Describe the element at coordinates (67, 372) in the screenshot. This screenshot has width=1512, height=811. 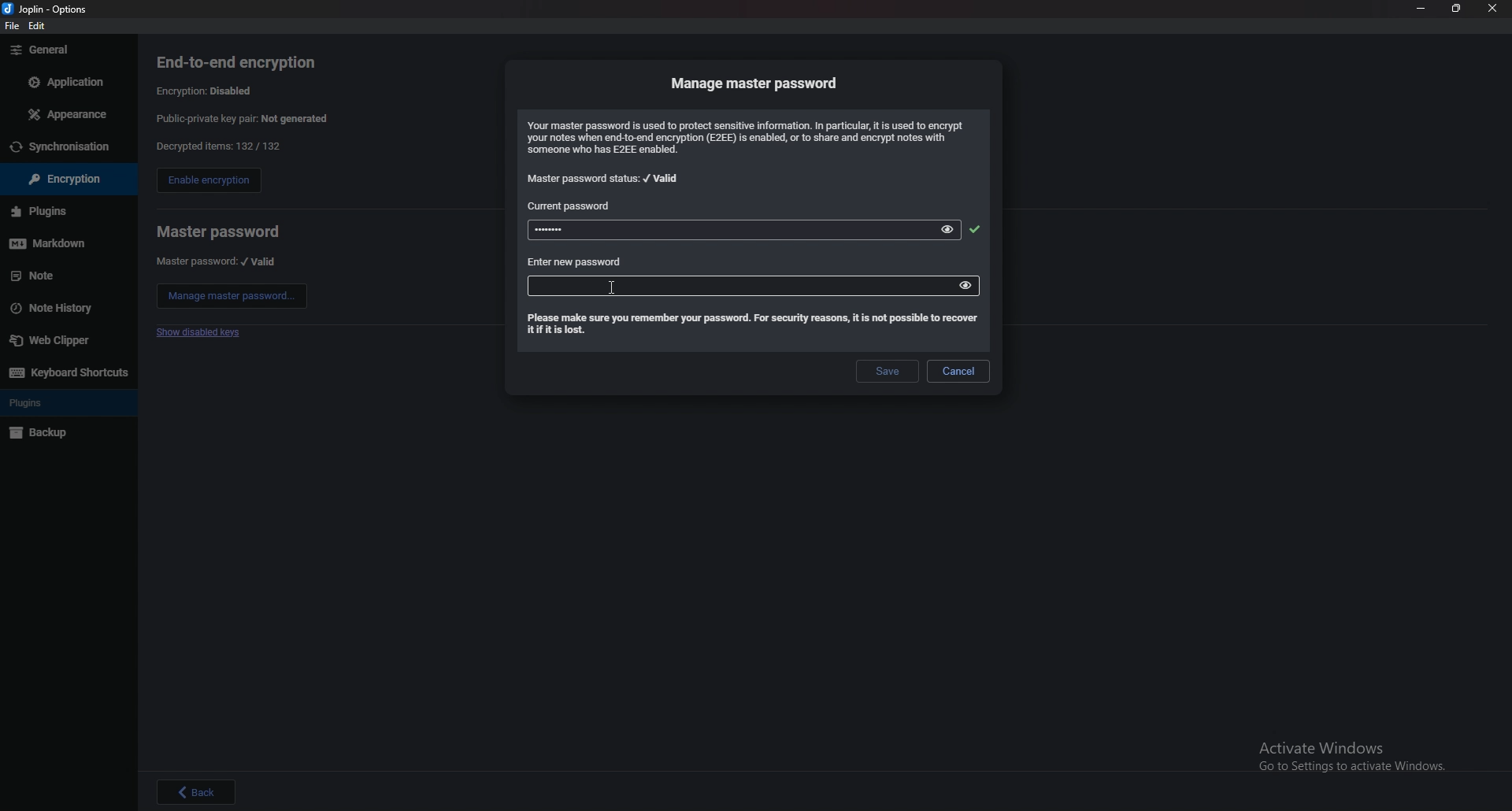
I see `keyboard shortcuts` at that location.